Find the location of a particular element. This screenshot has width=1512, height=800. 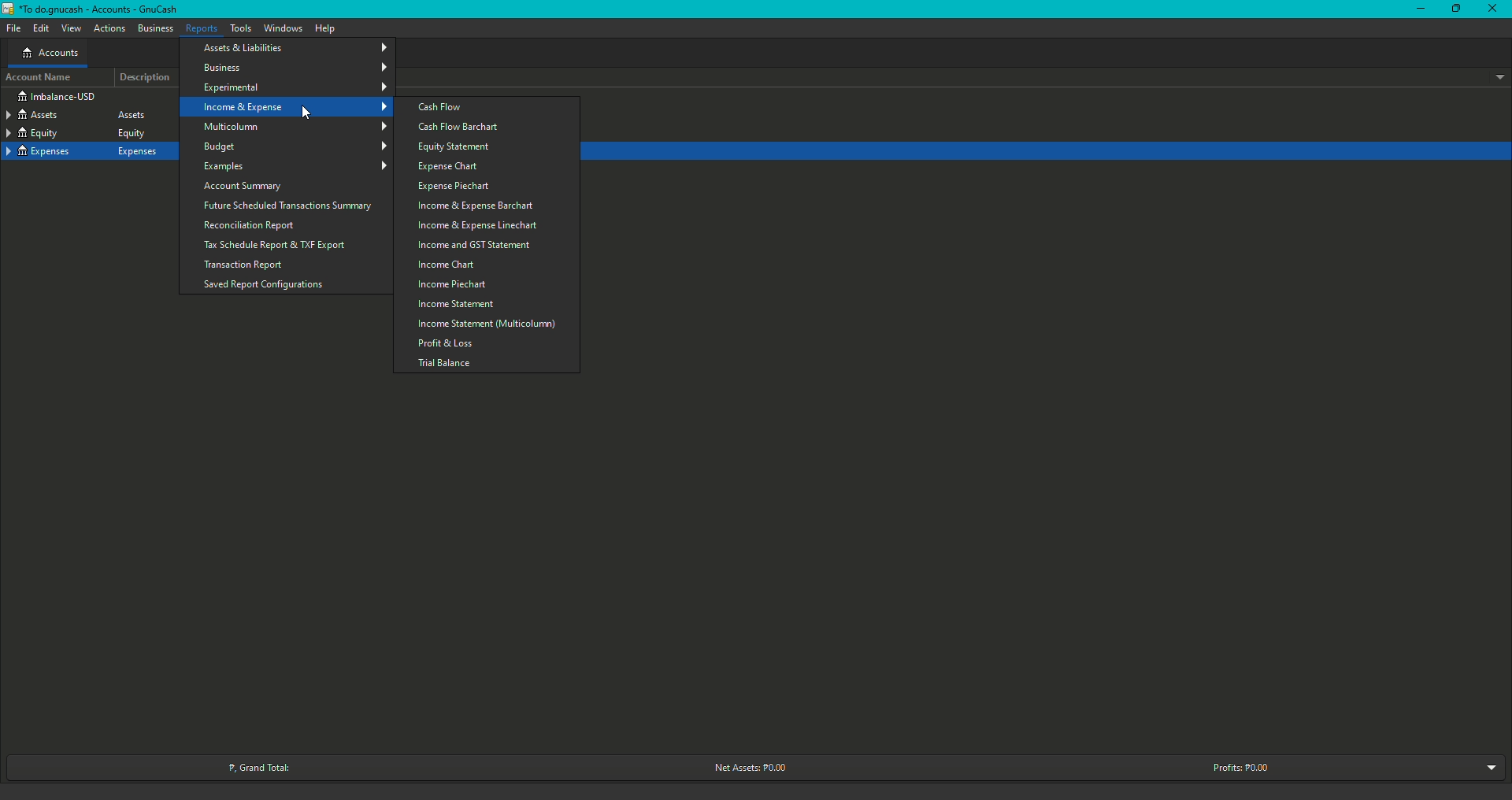

Income Statement is located at coordinates (456, 306).